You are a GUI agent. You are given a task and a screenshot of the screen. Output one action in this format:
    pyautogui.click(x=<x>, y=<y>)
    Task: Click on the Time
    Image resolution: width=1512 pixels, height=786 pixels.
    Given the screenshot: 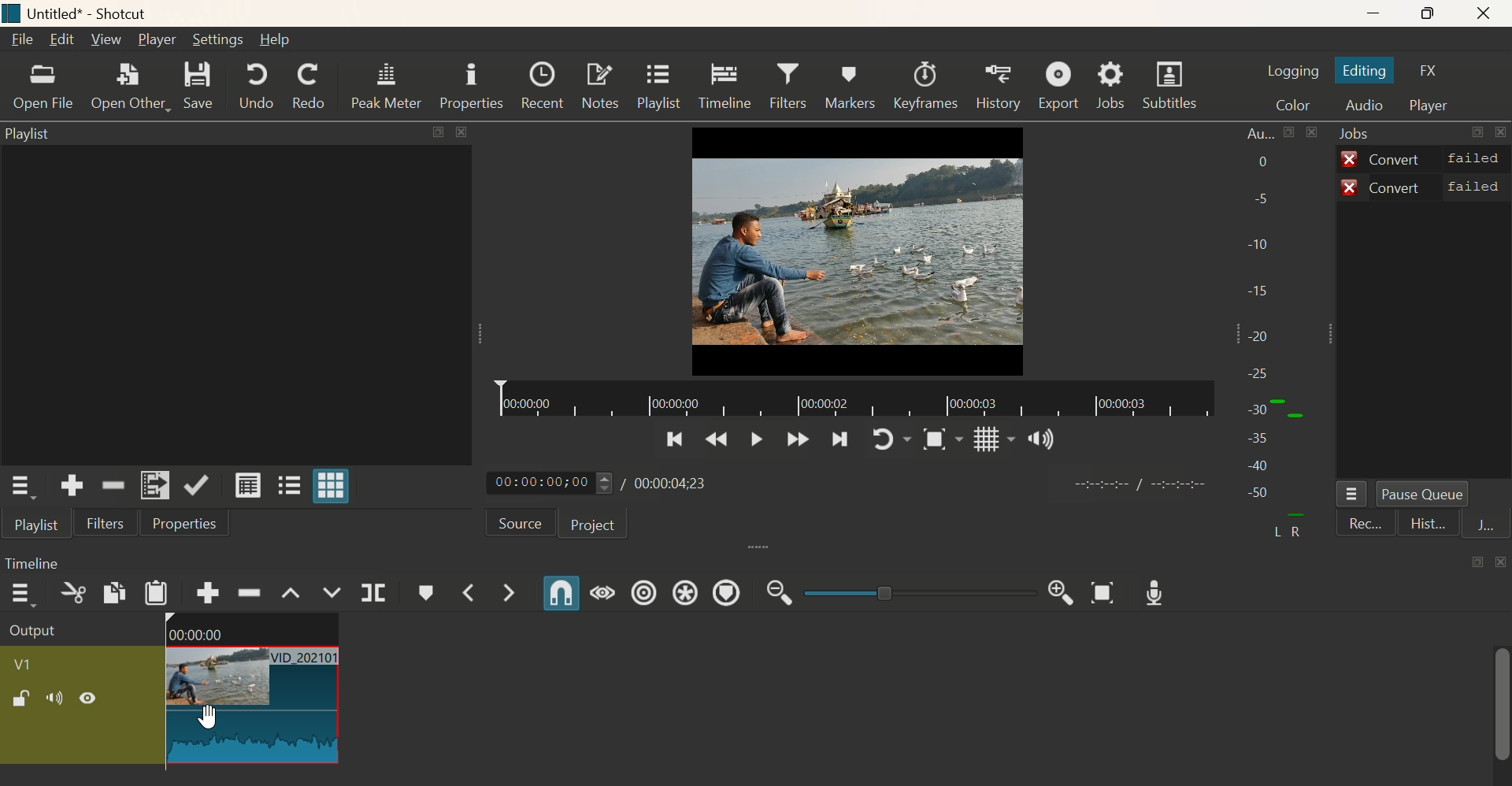 What is the action you would take?
    pyautogui.click(x=38, y=560)
    